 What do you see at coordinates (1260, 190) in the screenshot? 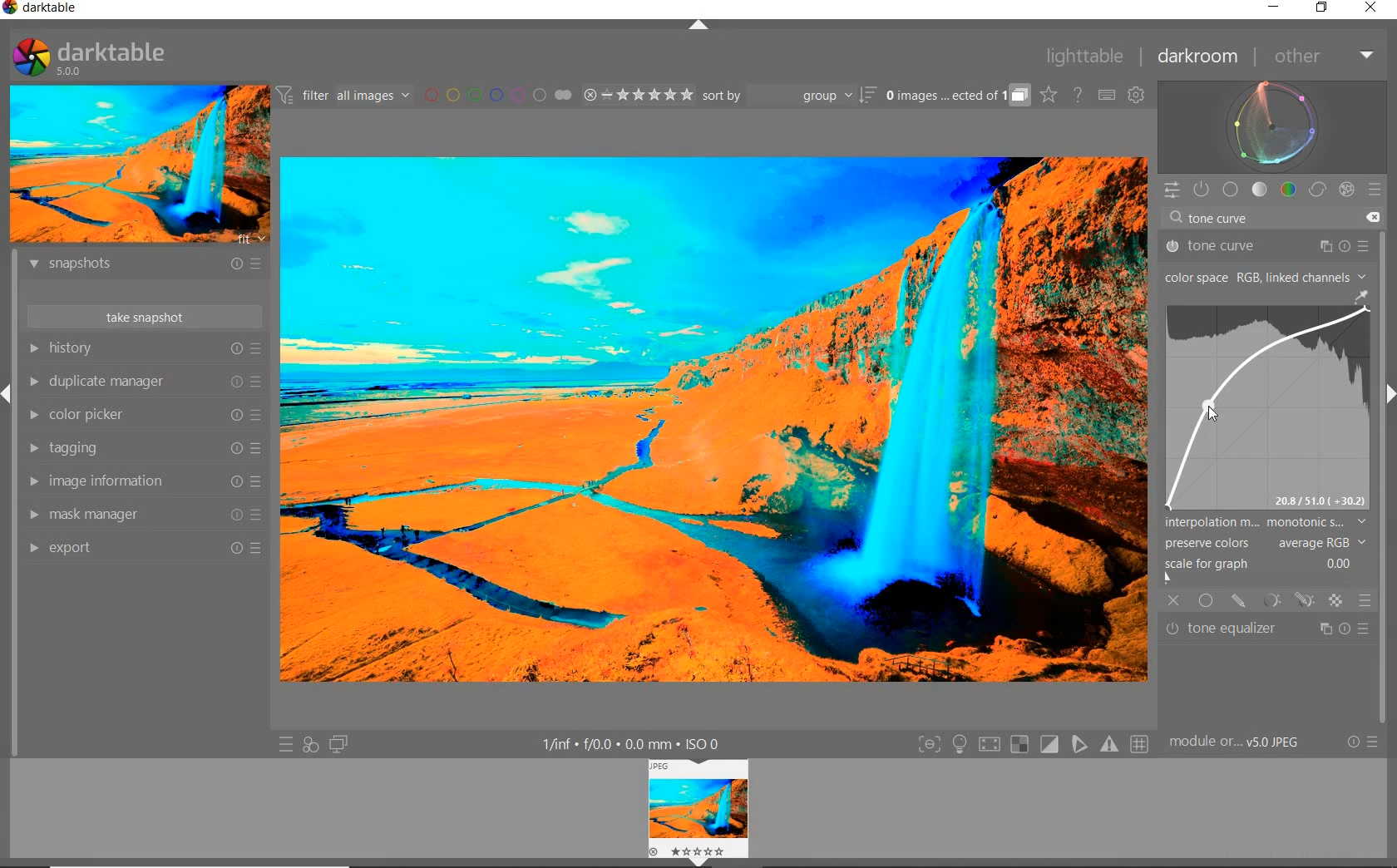
I see `tone` at bounding box center [1260, 190].